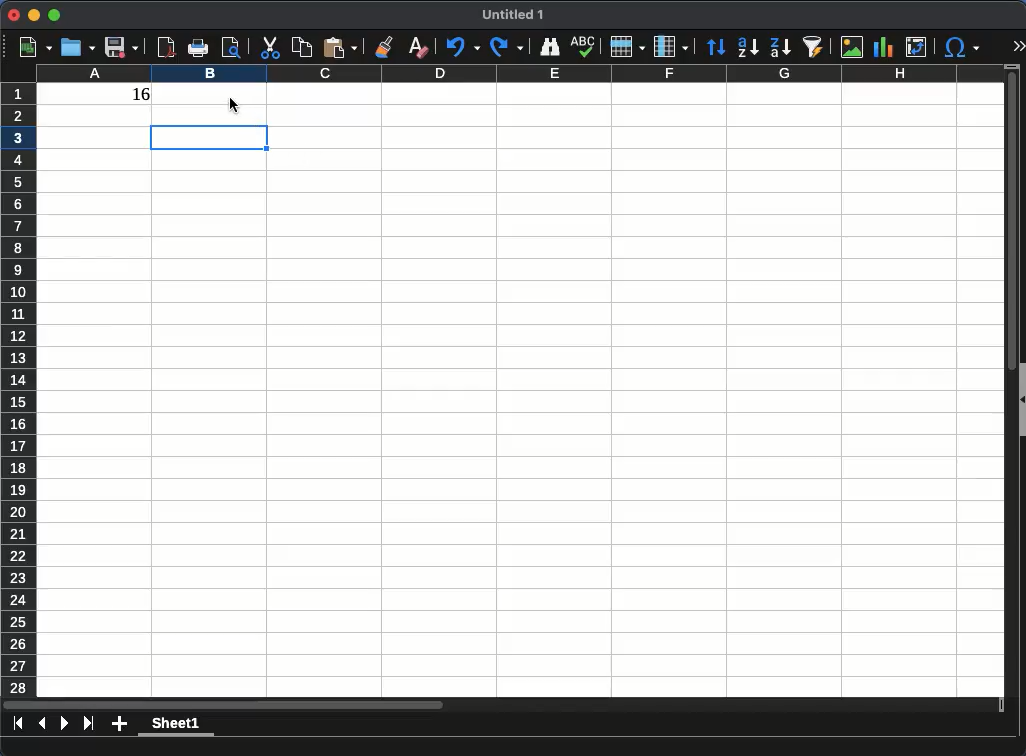  I want to click on copy, so click(301, 47).